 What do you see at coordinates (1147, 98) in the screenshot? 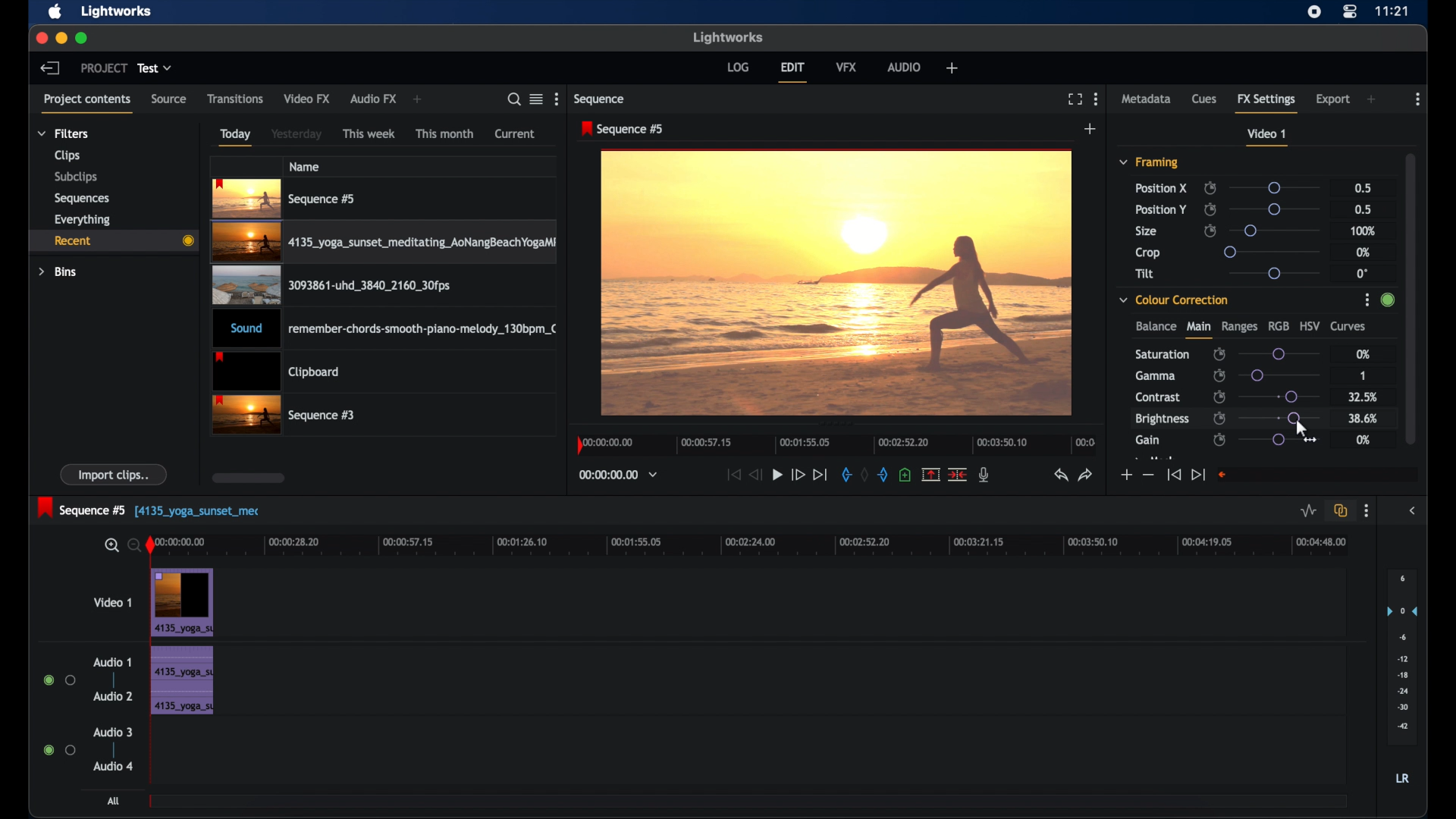
I see `metadata` at bounding box center [1147, 98].